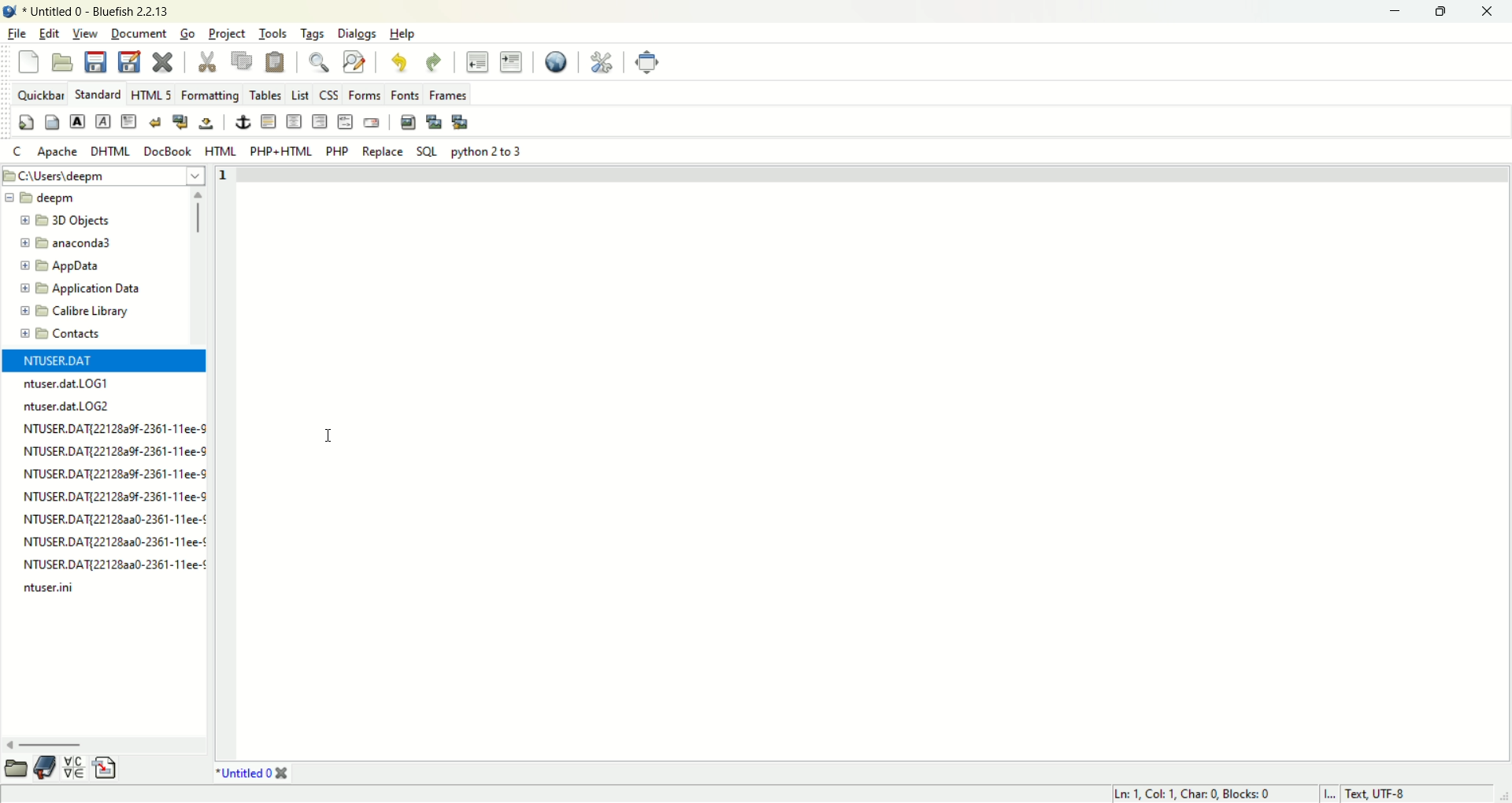 This screenshot has height=803, width=1512. I want to click on PHP, so click(335, 150).